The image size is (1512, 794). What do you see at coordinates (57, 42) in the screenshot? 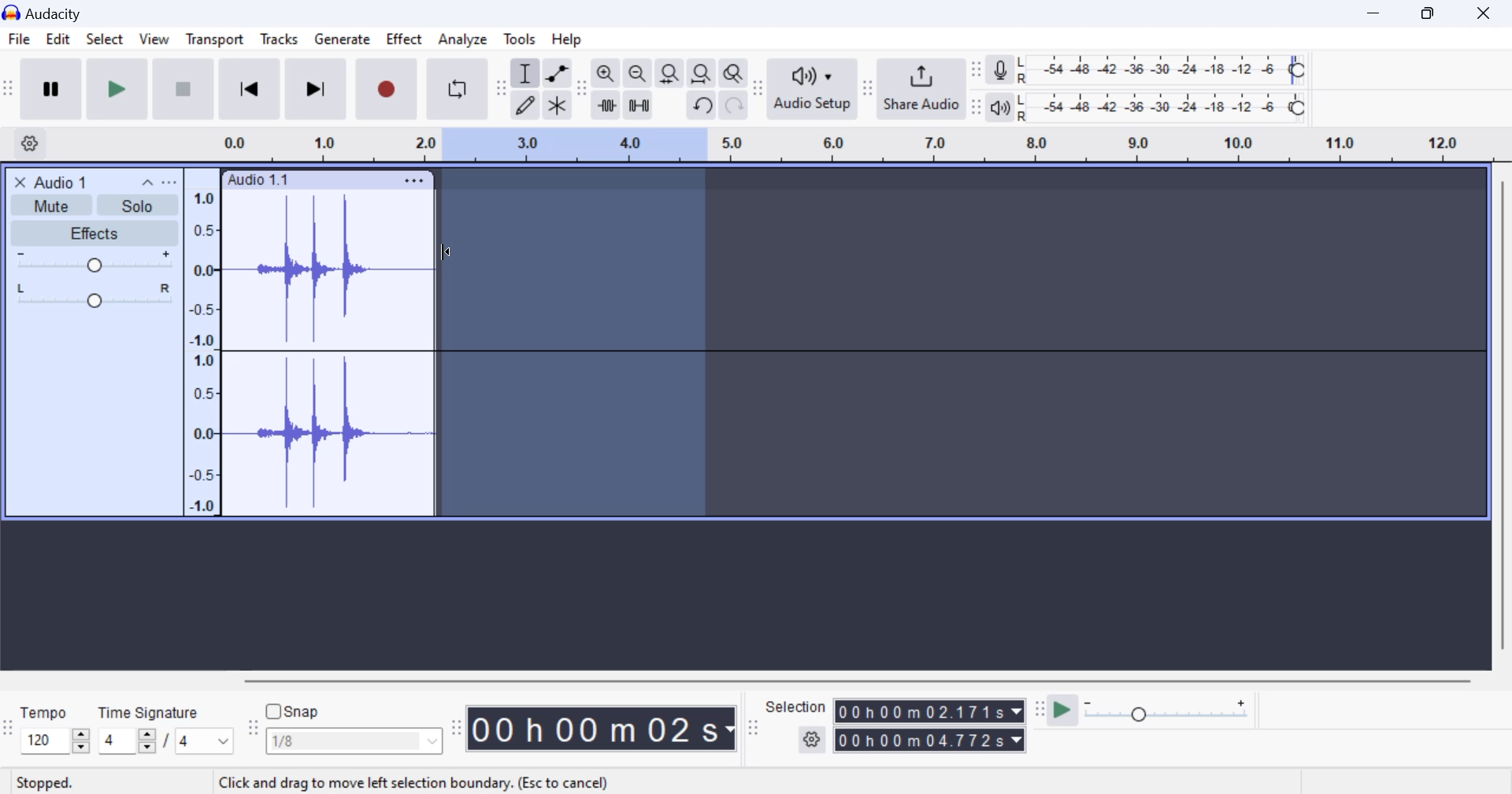
I see `Edit` at bounding box center [57, 42].